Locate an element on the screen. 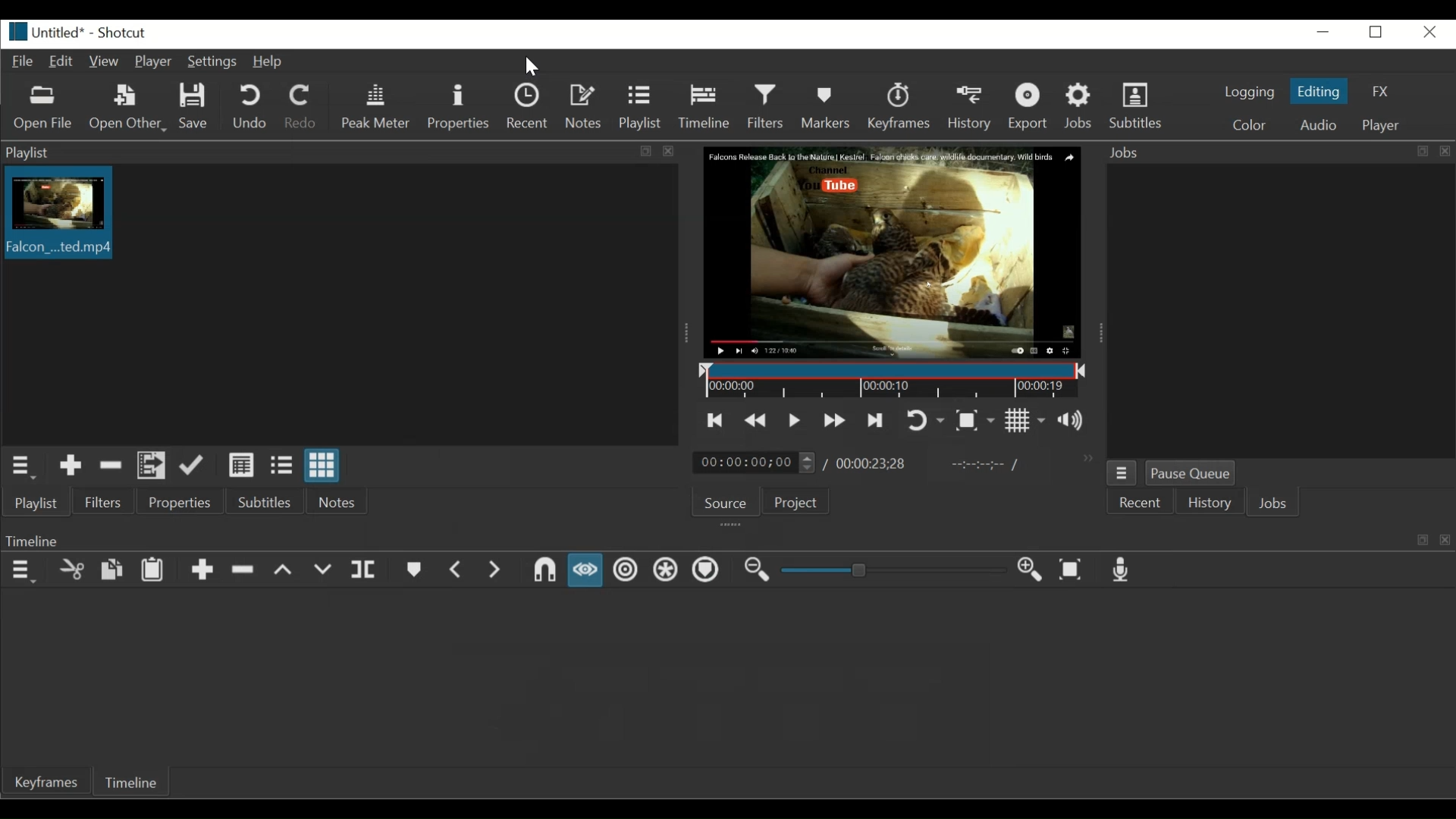 The image size is (1456, 819). Toggle play or pause is located at coordinates (792, 419).